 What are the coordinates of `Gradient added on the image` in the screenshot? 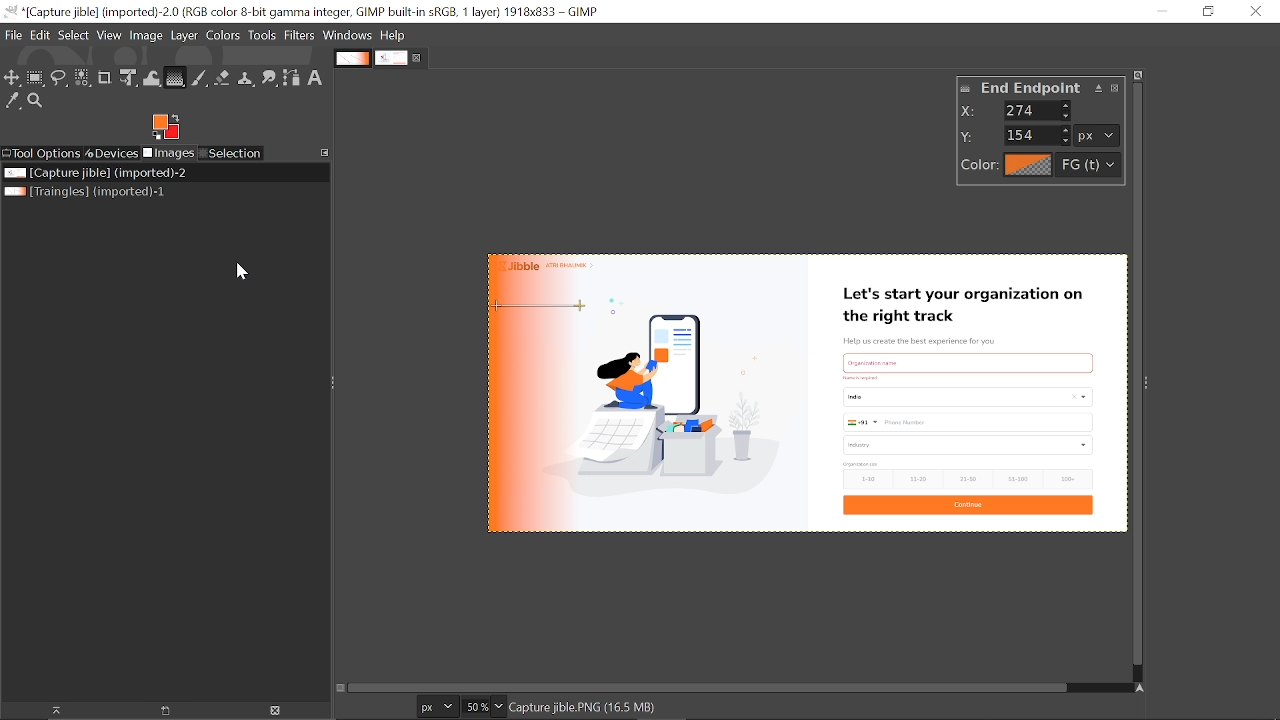 It's located at (806, 392).